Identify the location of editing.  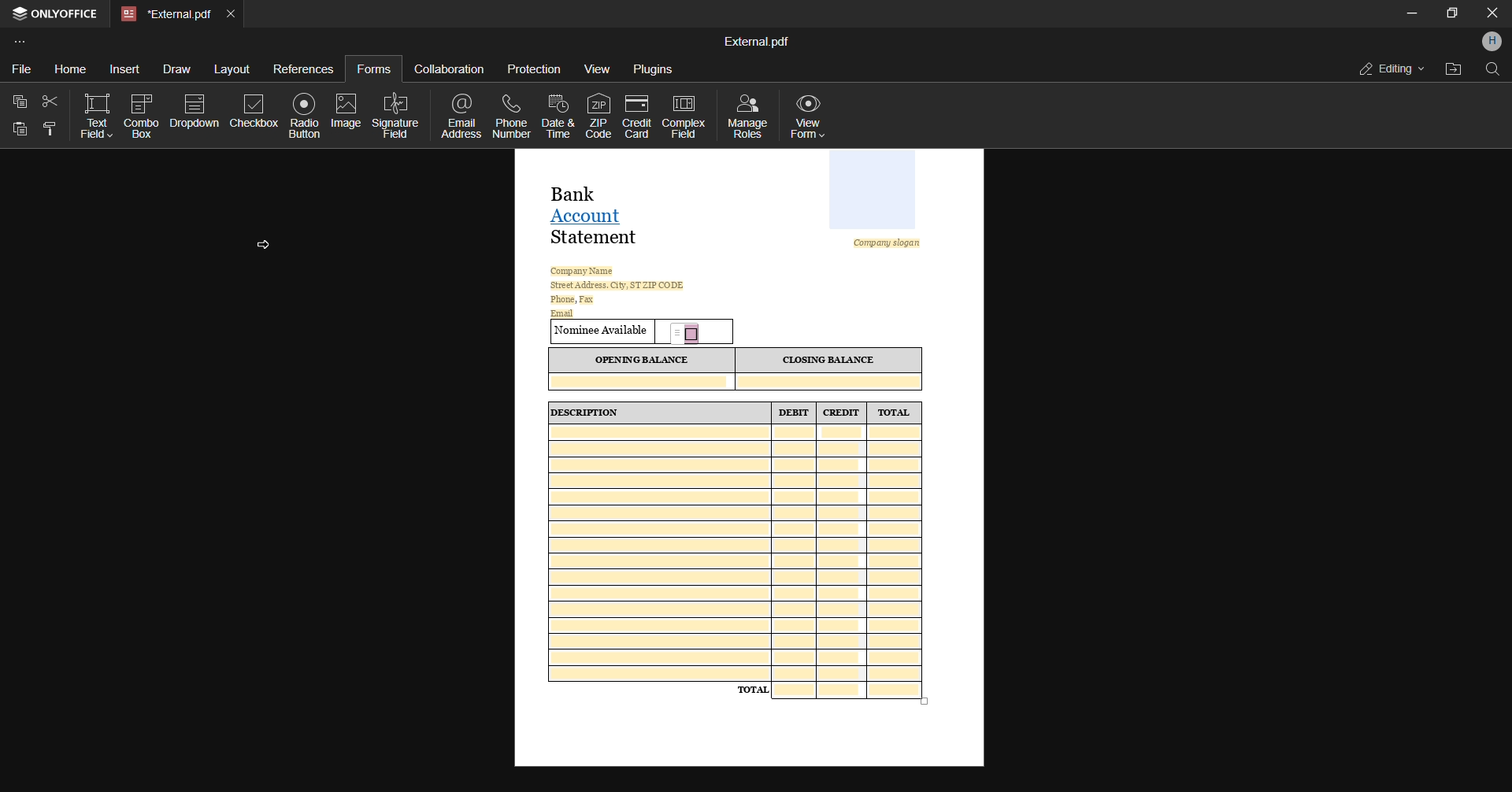
(1387, 67).